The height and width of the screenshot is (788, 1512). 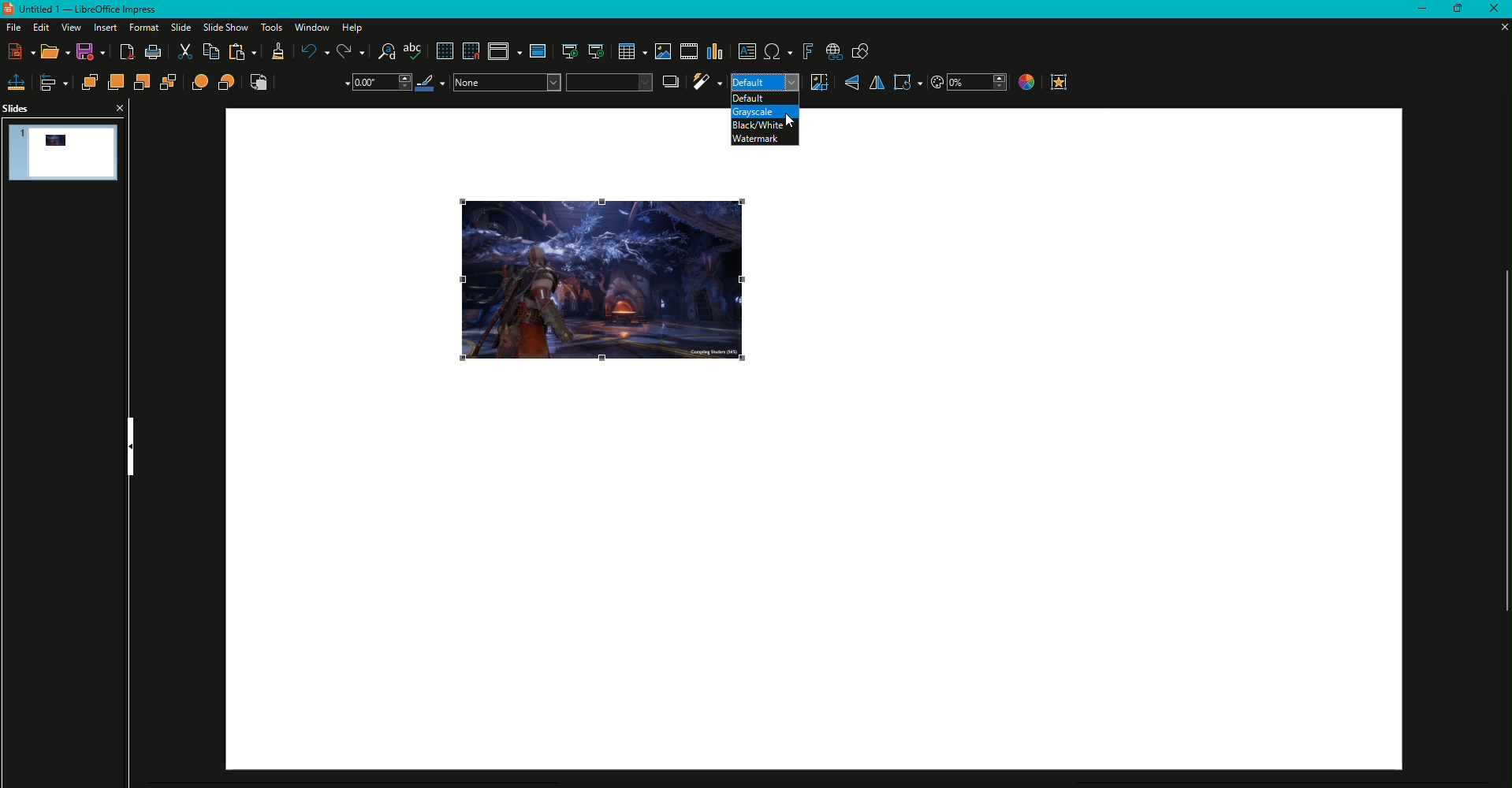 I want to click on Filter, so click(x=706, y=82).